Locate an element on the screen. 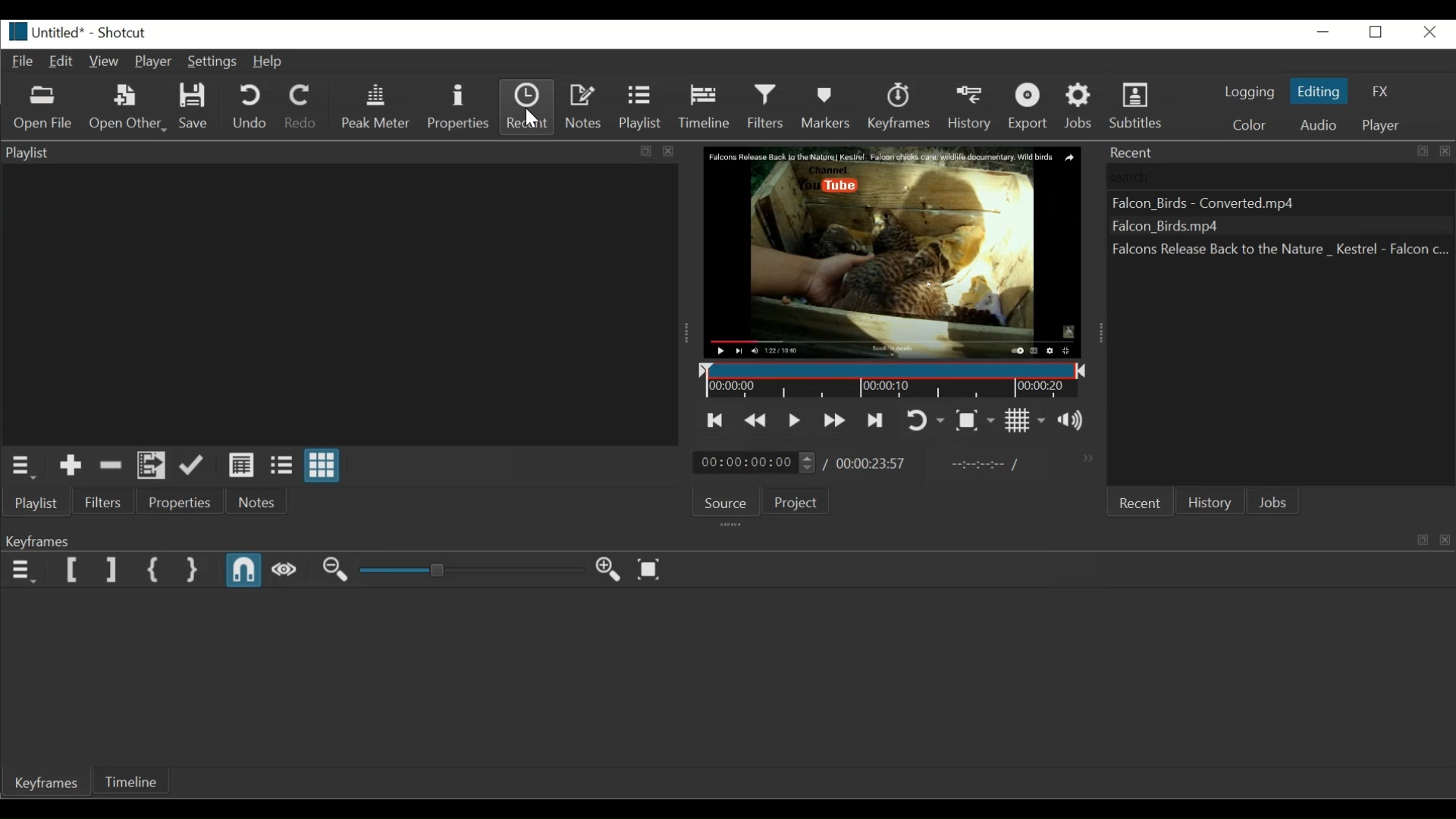 This screenshot has height=819, width=1456. Add to the playlist is located at coordinates (71, 466).